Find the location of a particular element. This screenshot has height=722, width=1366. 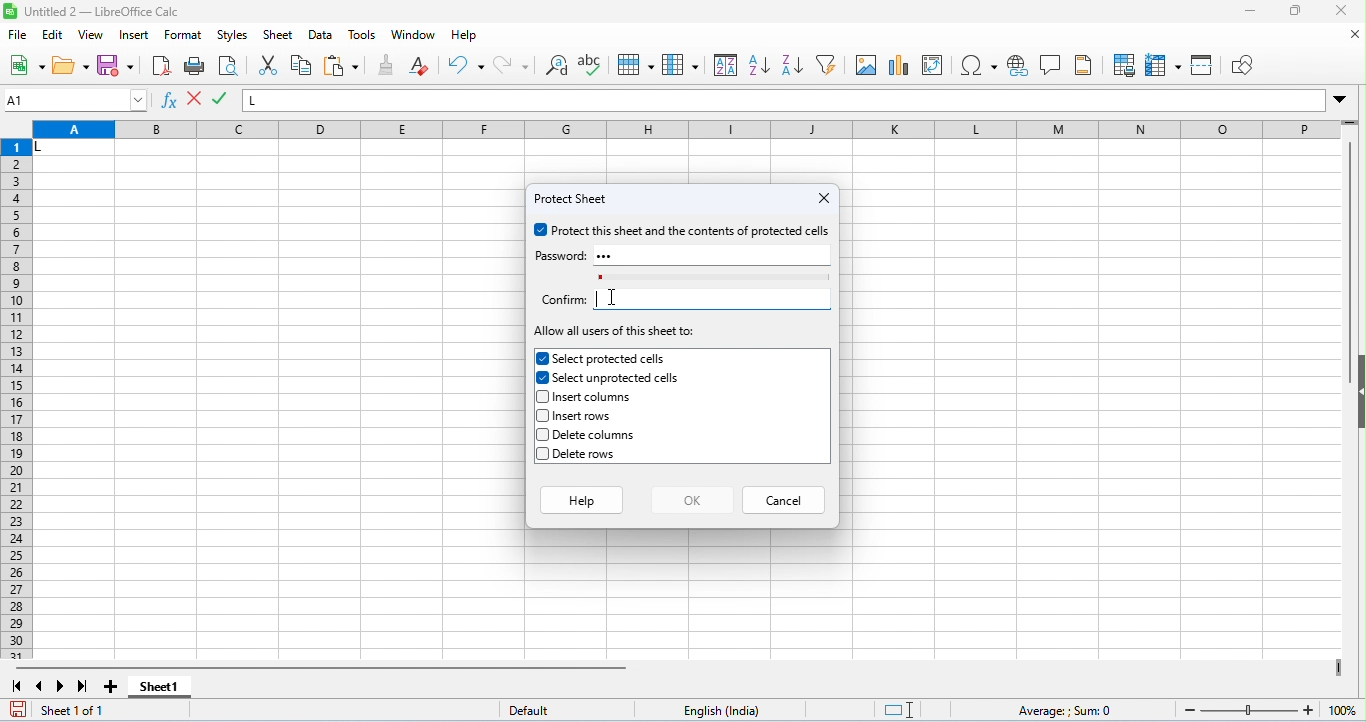

help is located at coordinates (465, 37).